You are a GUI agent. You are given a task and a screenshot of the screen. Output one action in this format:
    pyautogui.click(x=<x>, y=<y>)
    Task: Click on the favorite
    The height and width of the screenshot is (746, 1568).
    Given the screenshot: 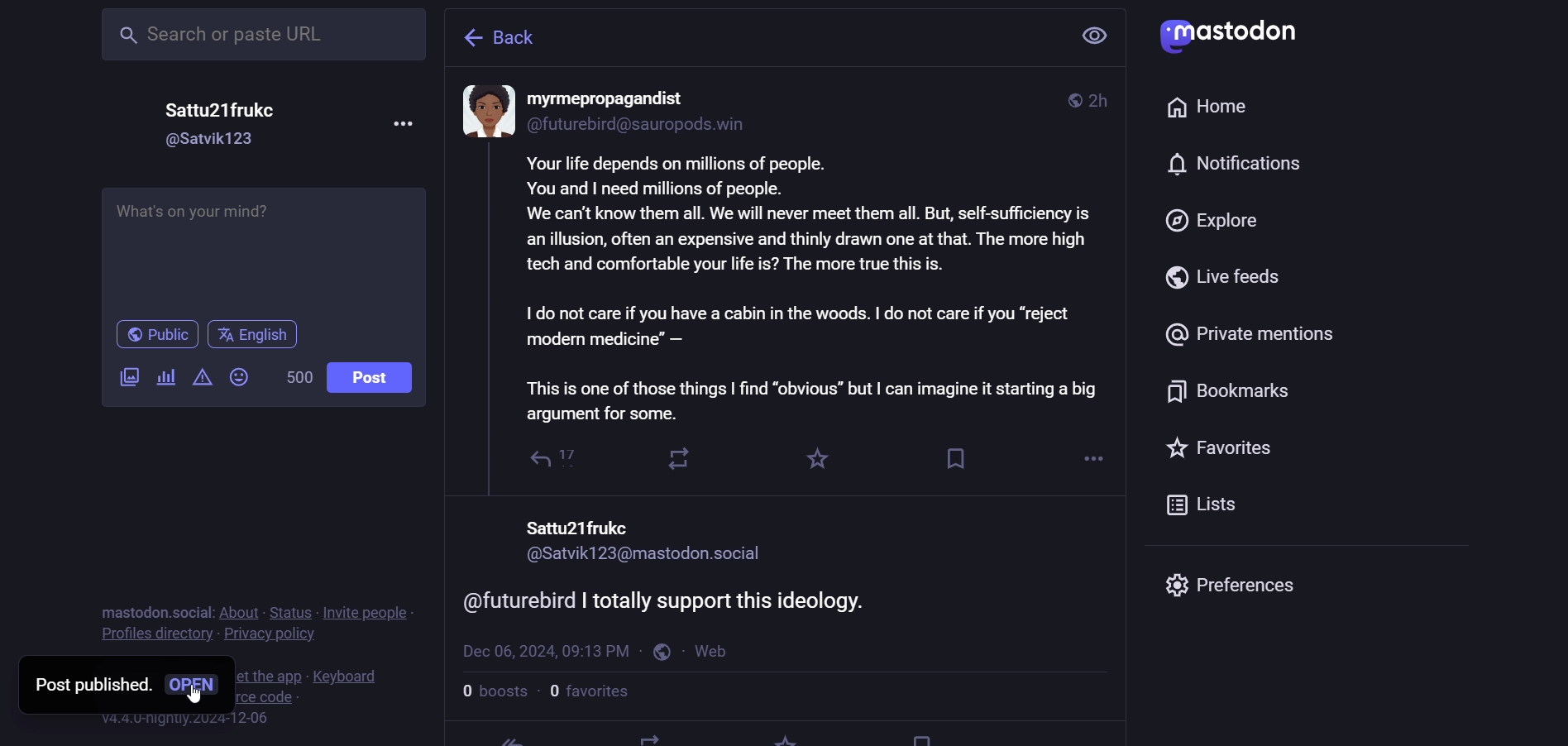 What is the action you would take?
    pyautogui.click(x=814, y=458)
    